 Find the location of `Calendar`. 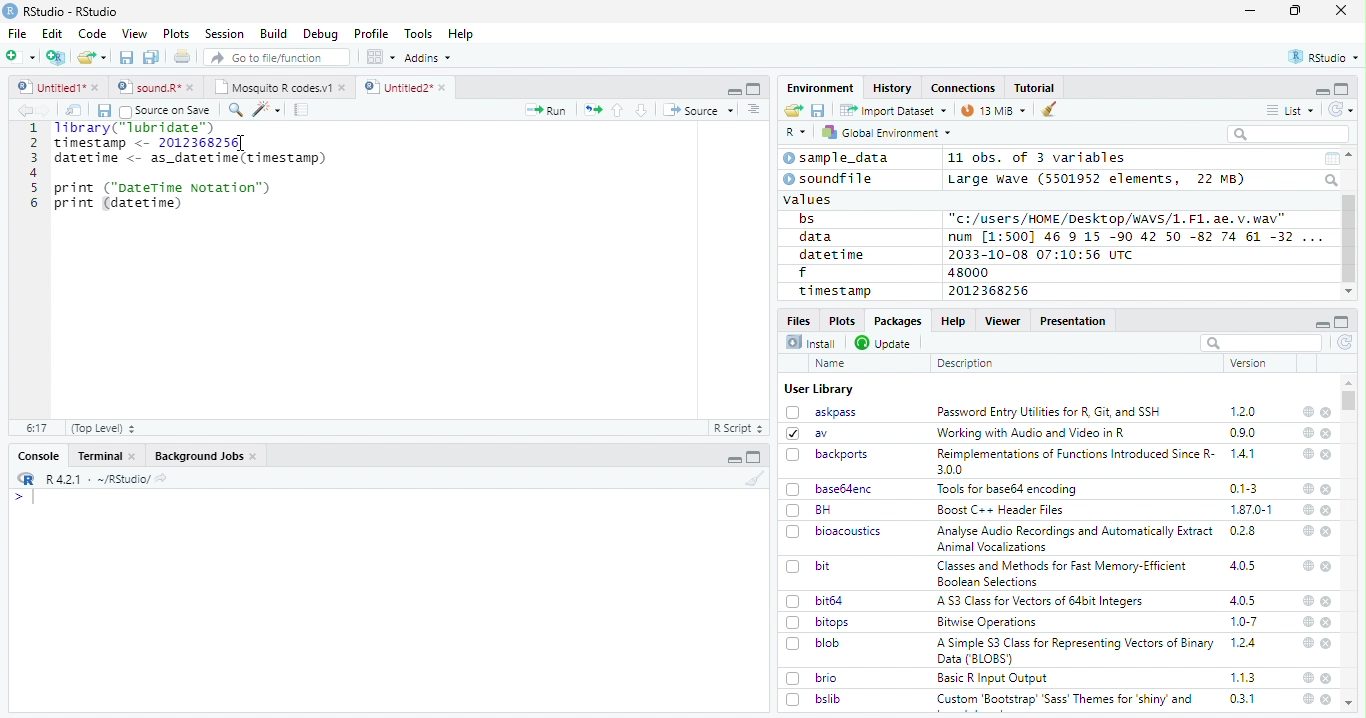

Calendar is located at coordinates (1331, 159).